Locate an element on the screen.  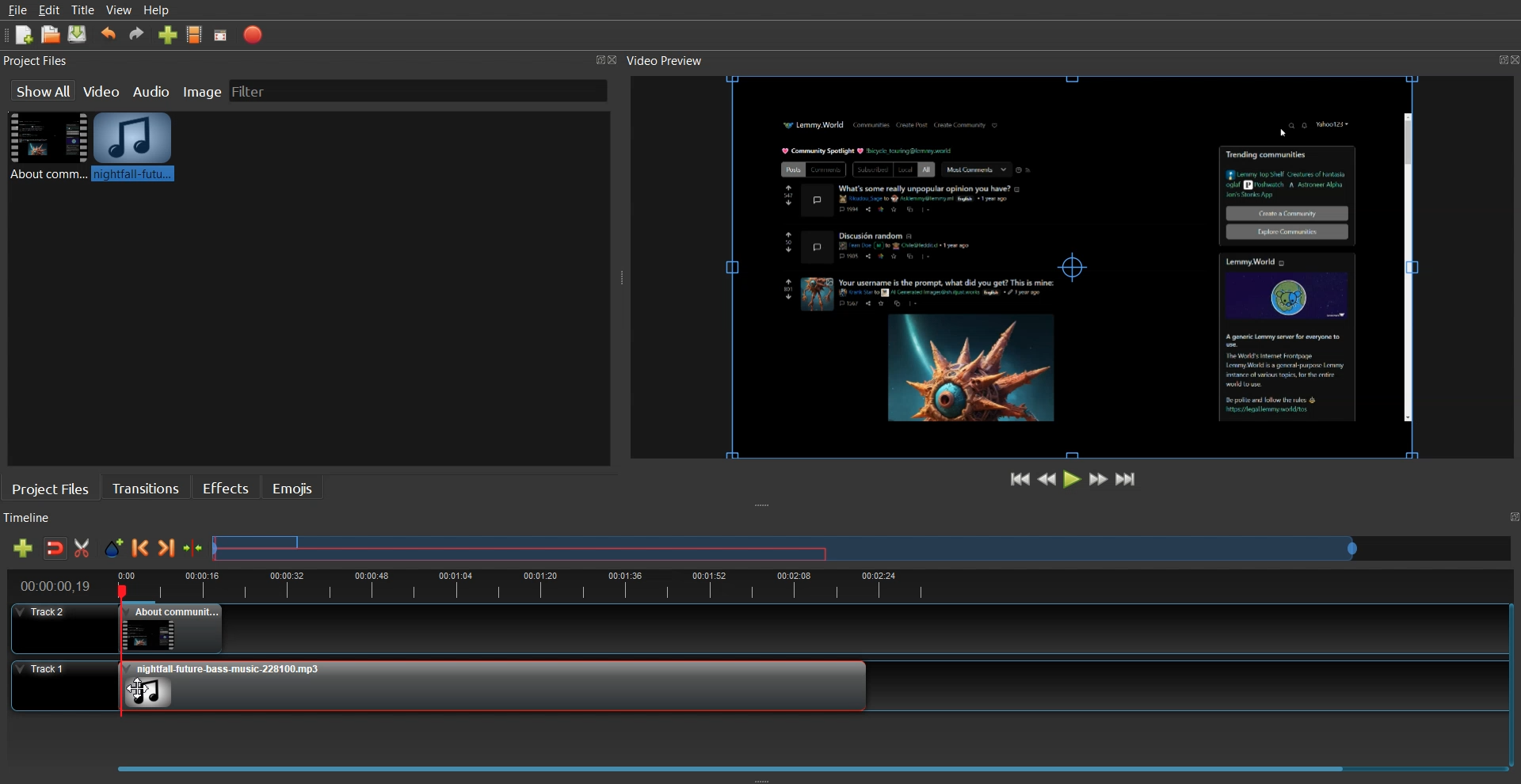
New Project is located at coordinates (25, 36).